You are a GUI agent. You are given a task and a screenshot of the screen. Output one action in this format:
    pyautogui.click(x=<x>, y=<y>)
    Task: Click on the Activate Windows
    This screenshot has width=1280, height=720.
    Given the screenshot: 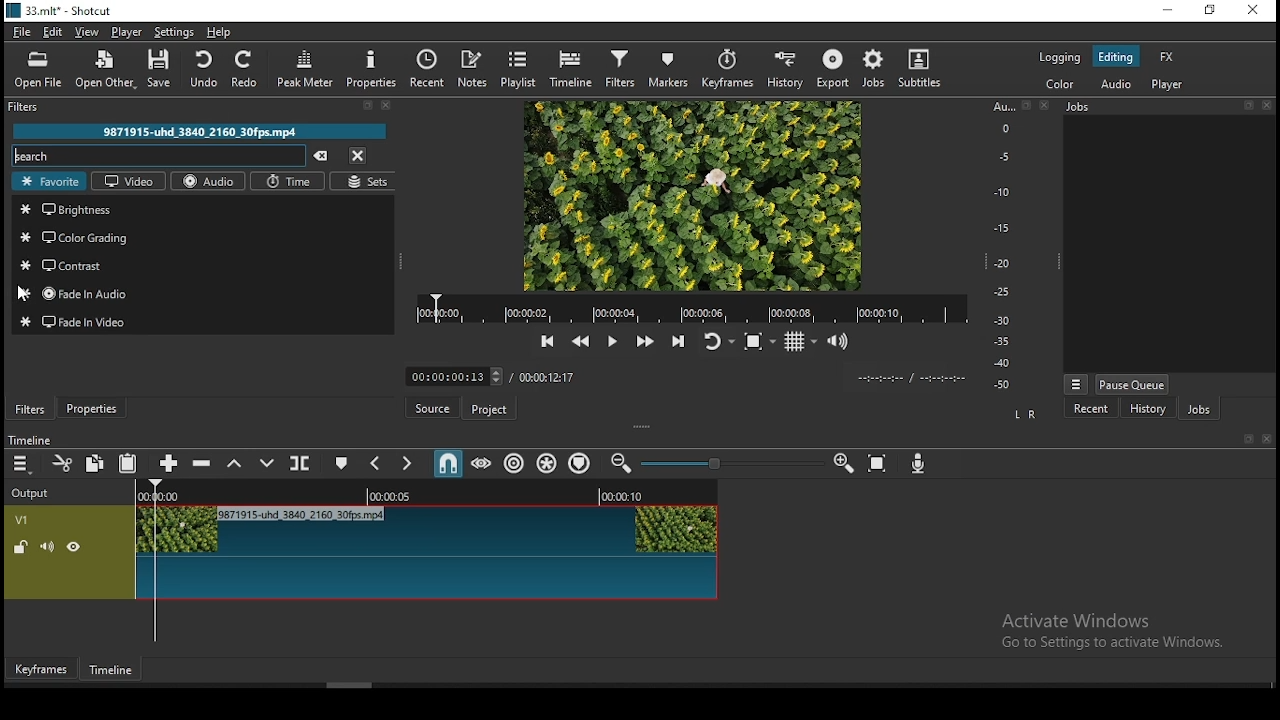 What is the action you would take?
    pyautogui.click(x=1079, y=621)
    